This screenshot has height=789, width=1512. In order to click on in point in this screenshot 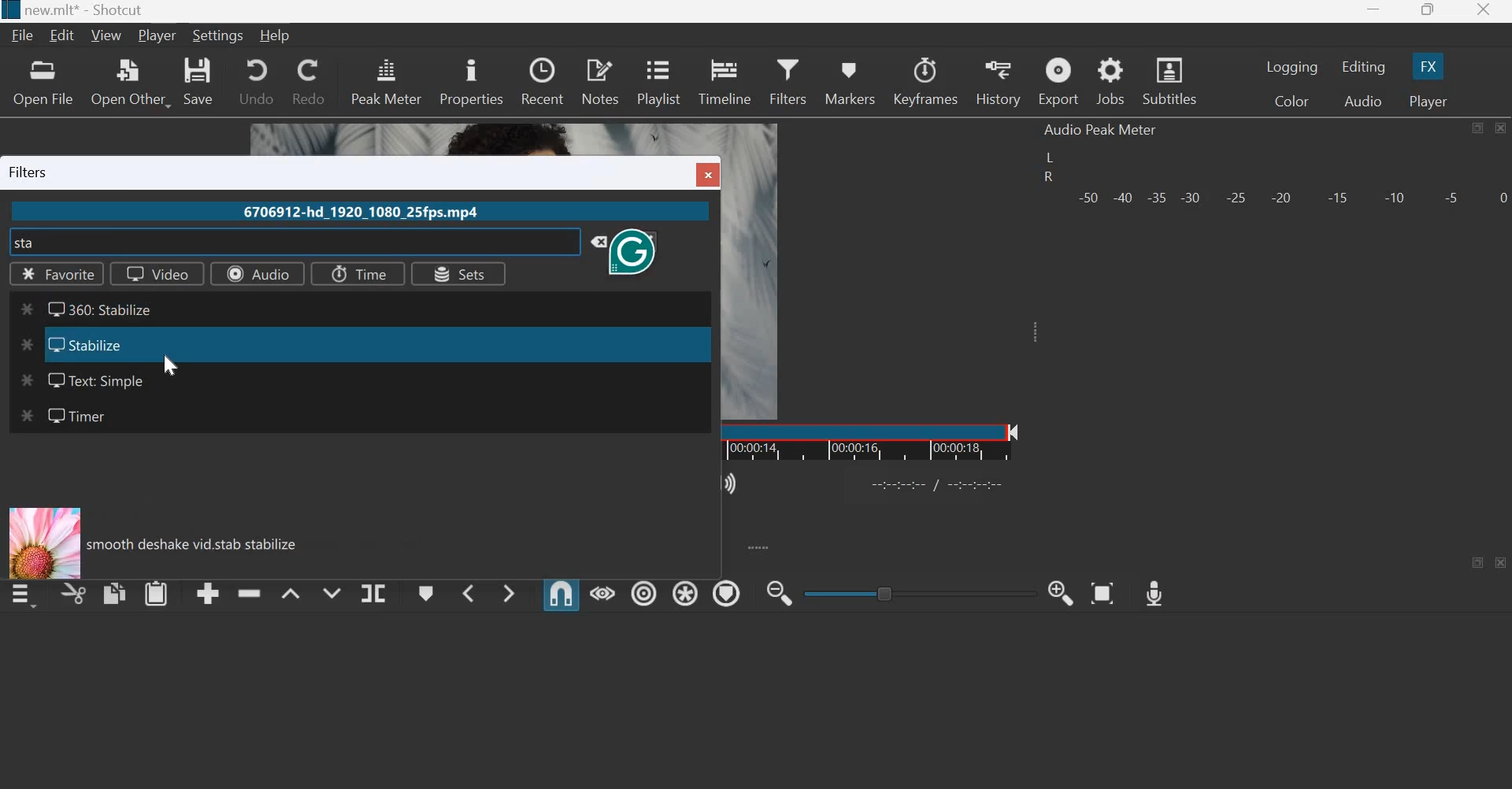, I will do `click(940, 487)`.